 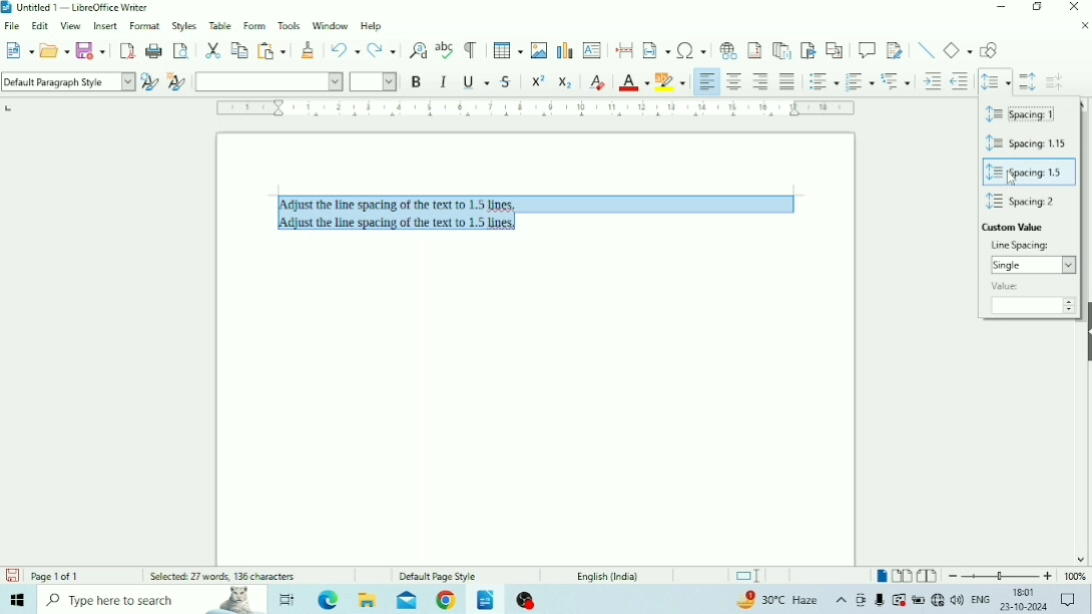 What do you see at coordinates (535, 108) in the screenshot?
I see `Horizontal scale` at bounding box center [535, 108].